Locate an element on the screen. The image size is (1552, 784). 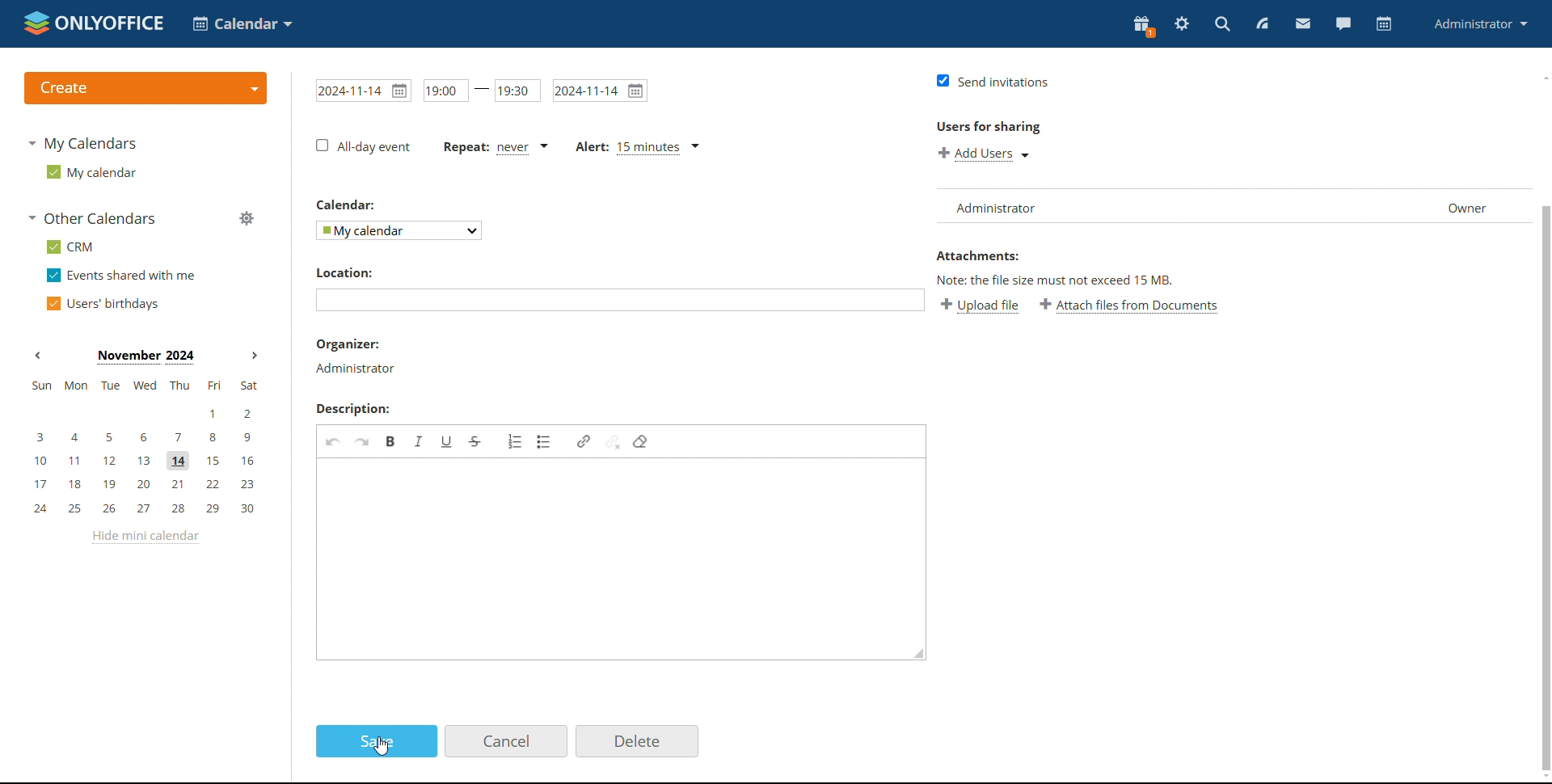
other calendars is located at coordinates (92, 218).